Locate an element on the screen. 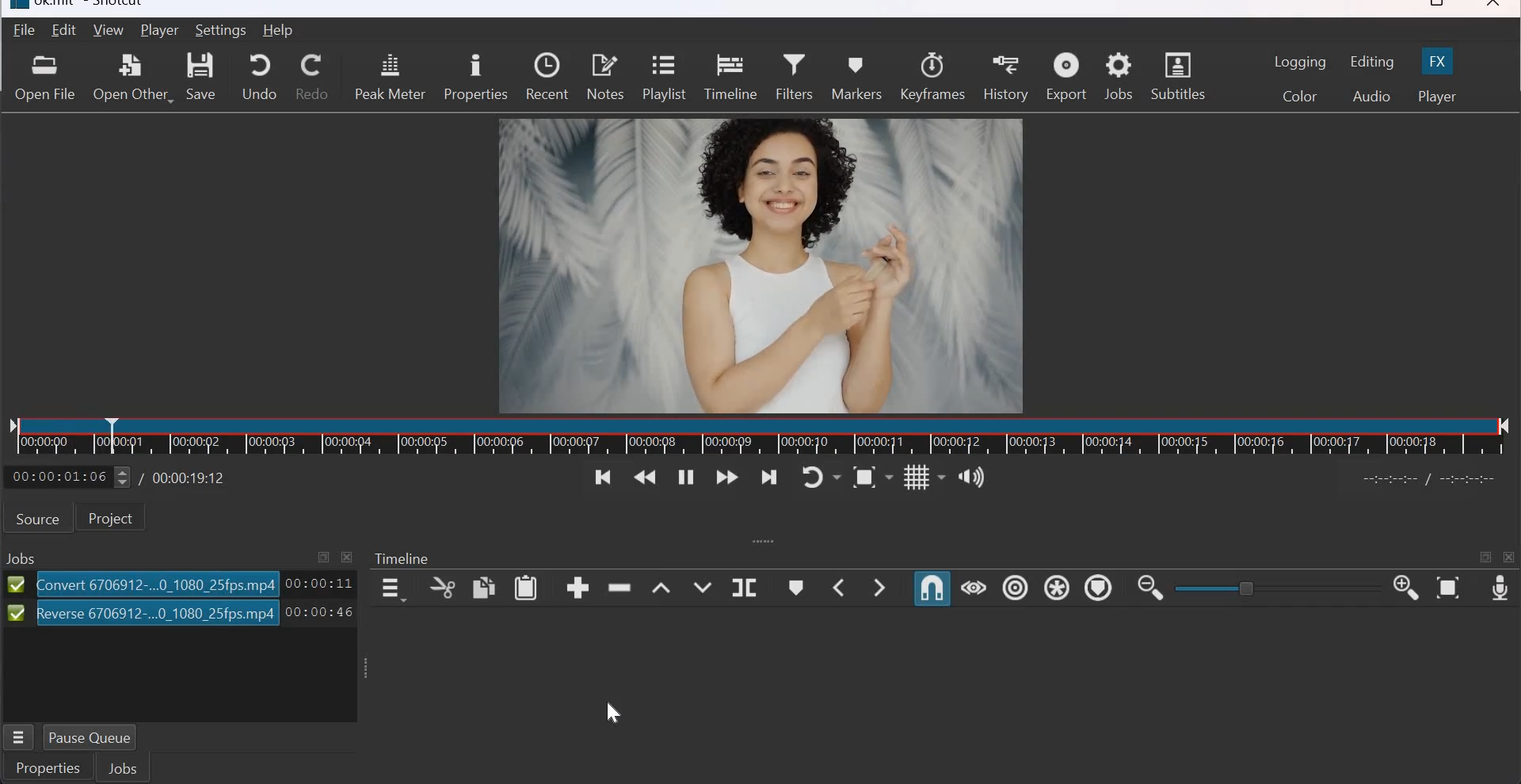  Pause queue is located at coordinates (99, 736).